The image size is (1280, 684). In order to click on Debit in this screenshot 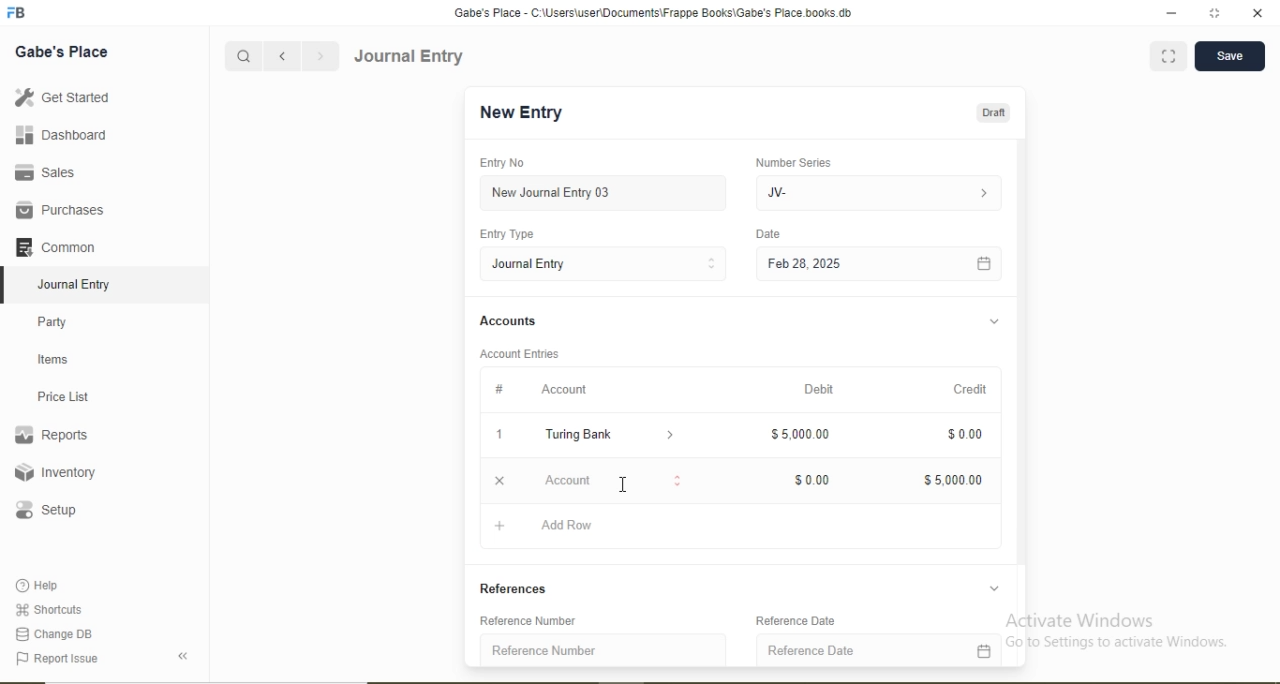, I will do `click(819, 389)`.